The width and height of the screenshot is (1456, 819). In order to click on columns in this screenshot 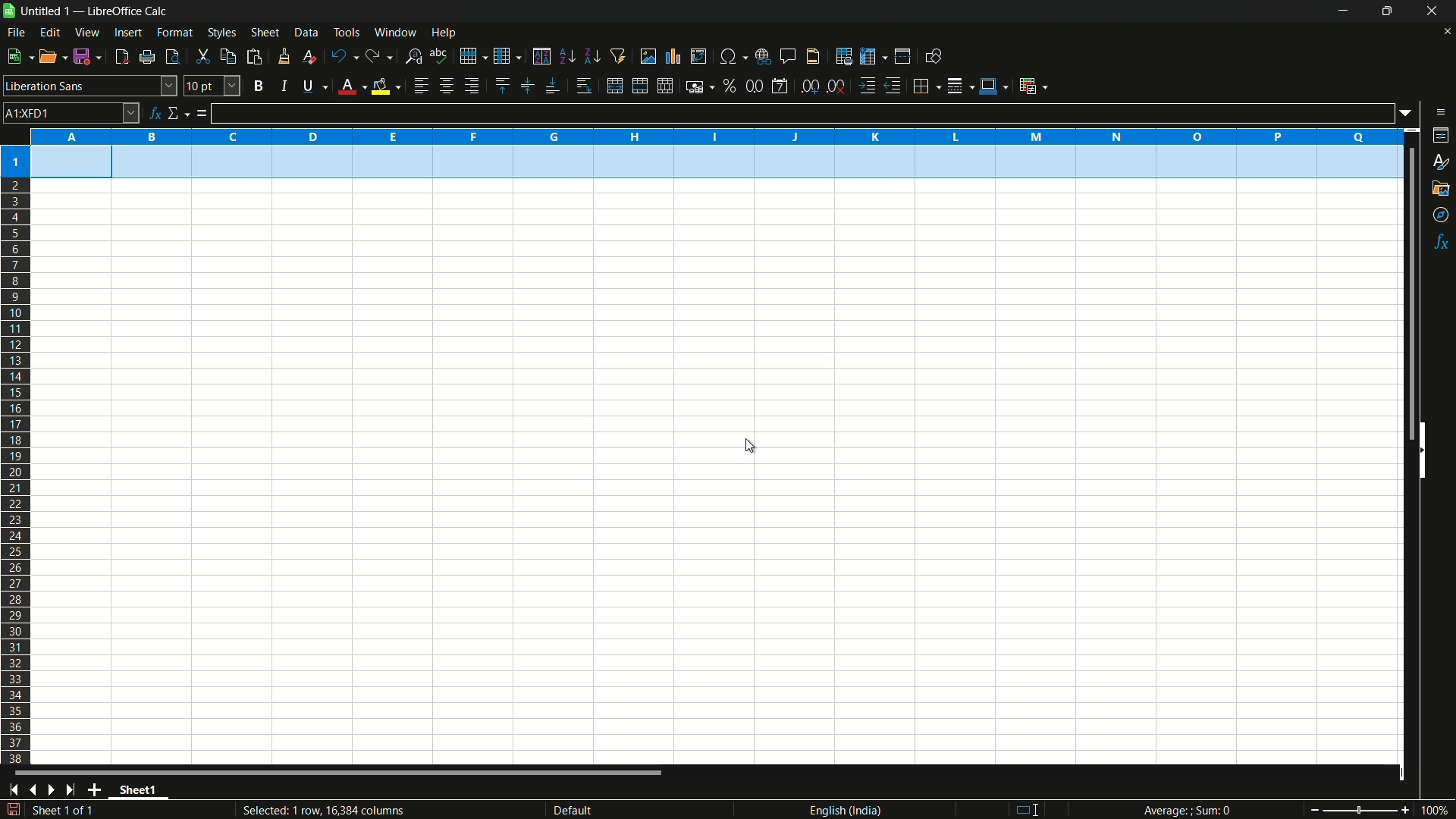, I will do `click(716, 135)`.